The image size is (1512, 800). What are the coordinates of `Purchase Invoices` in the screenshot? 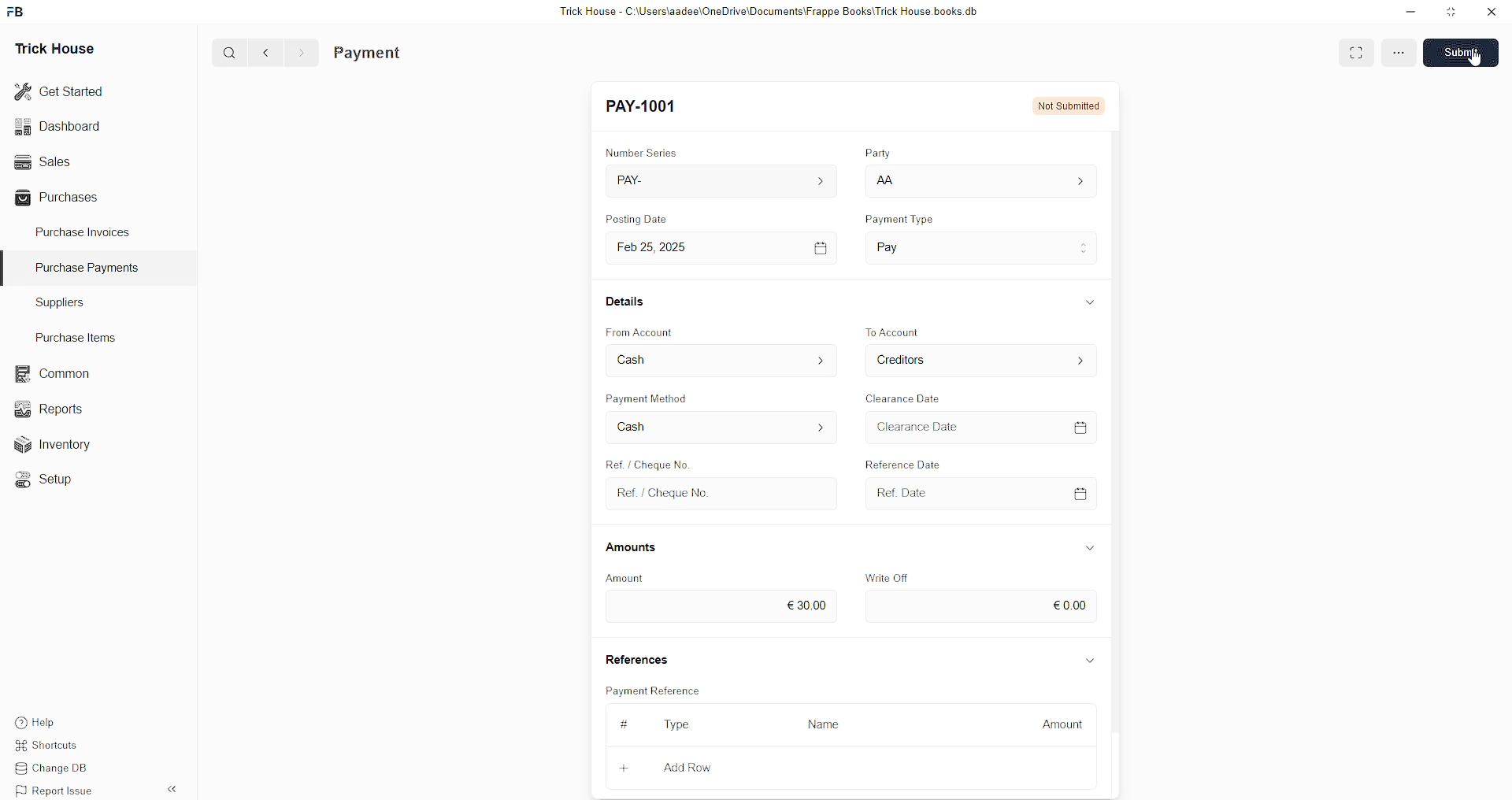 It's located at (85, 231).